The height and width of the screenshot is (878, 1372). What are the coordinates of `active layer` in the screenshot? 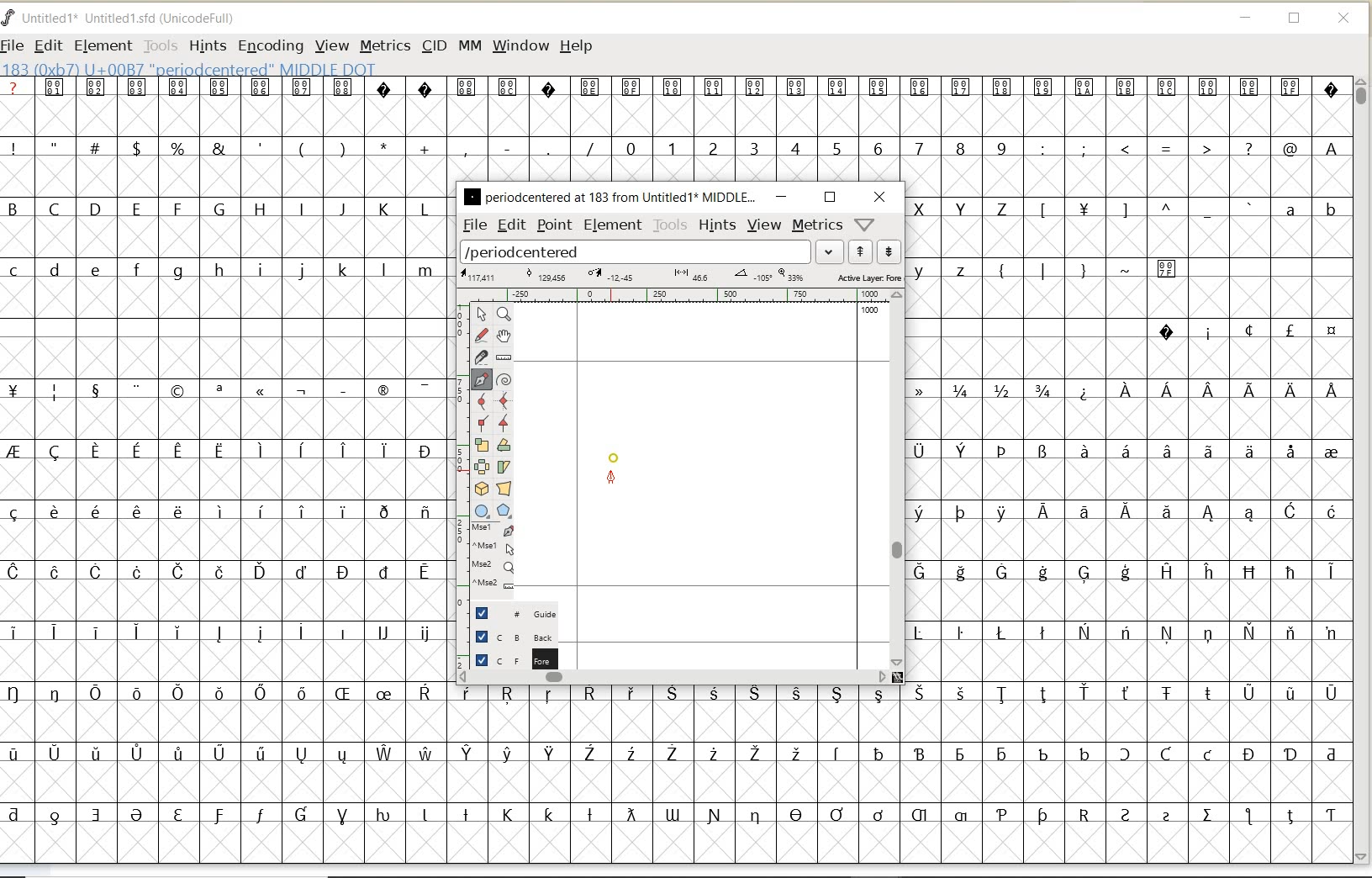 It's located at (679, 277).